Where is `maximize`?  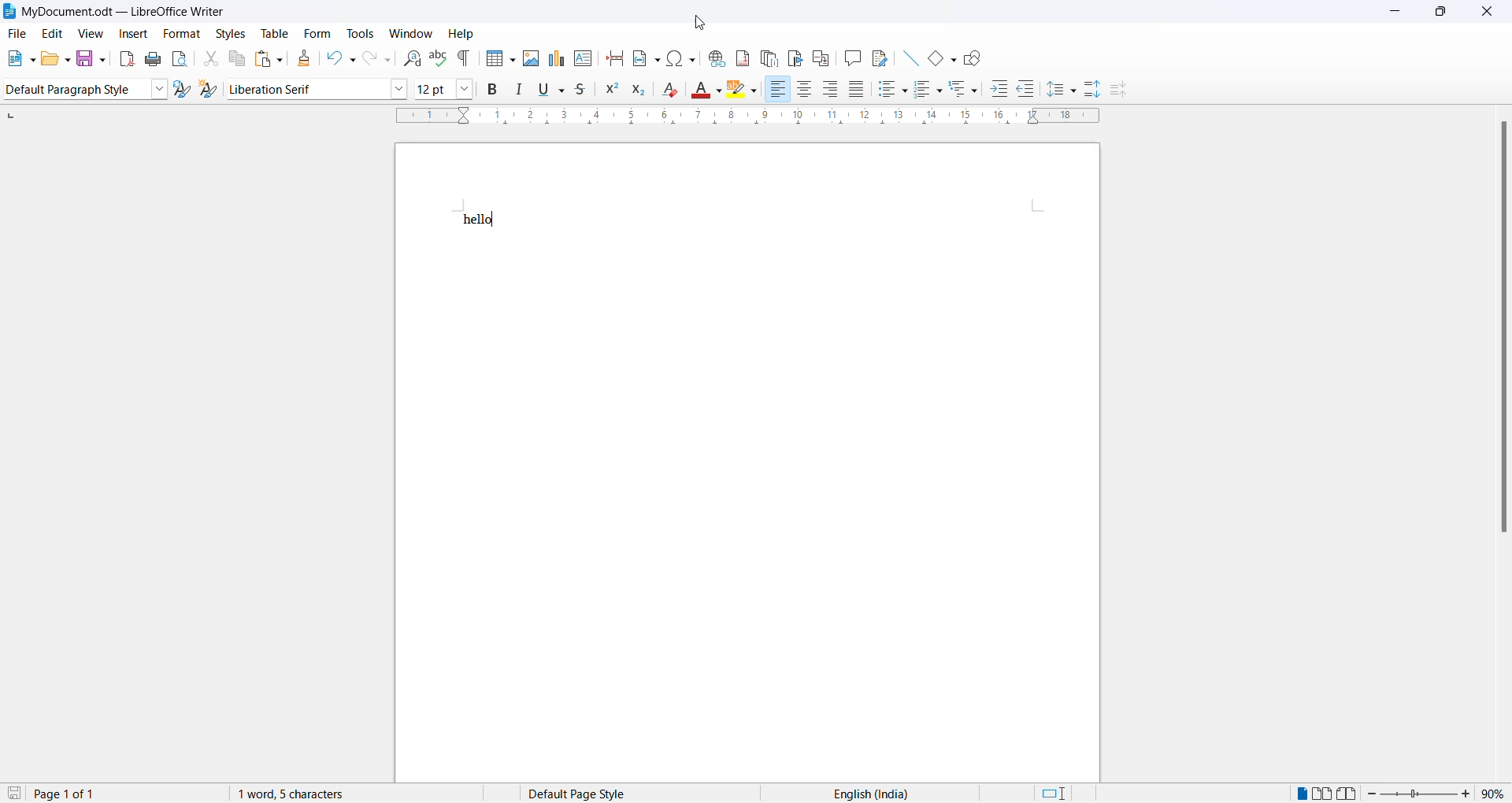
maximize is located at coordinates (1447, 13).